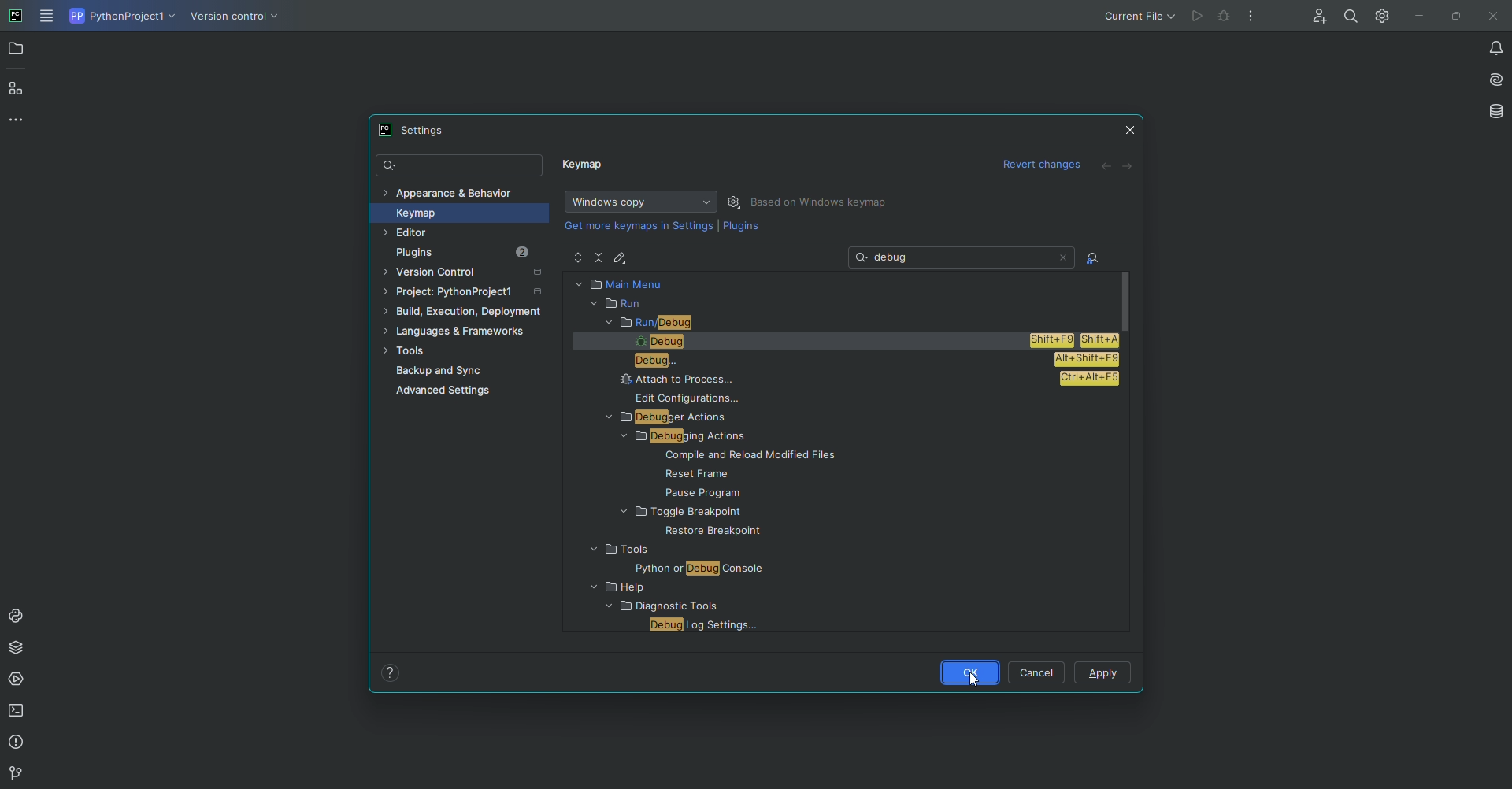 The image size is (1512, 789). What do you see at coordinates (460, 352) in the screenshot?
I see `Tools` at bounding box center [460, 352].